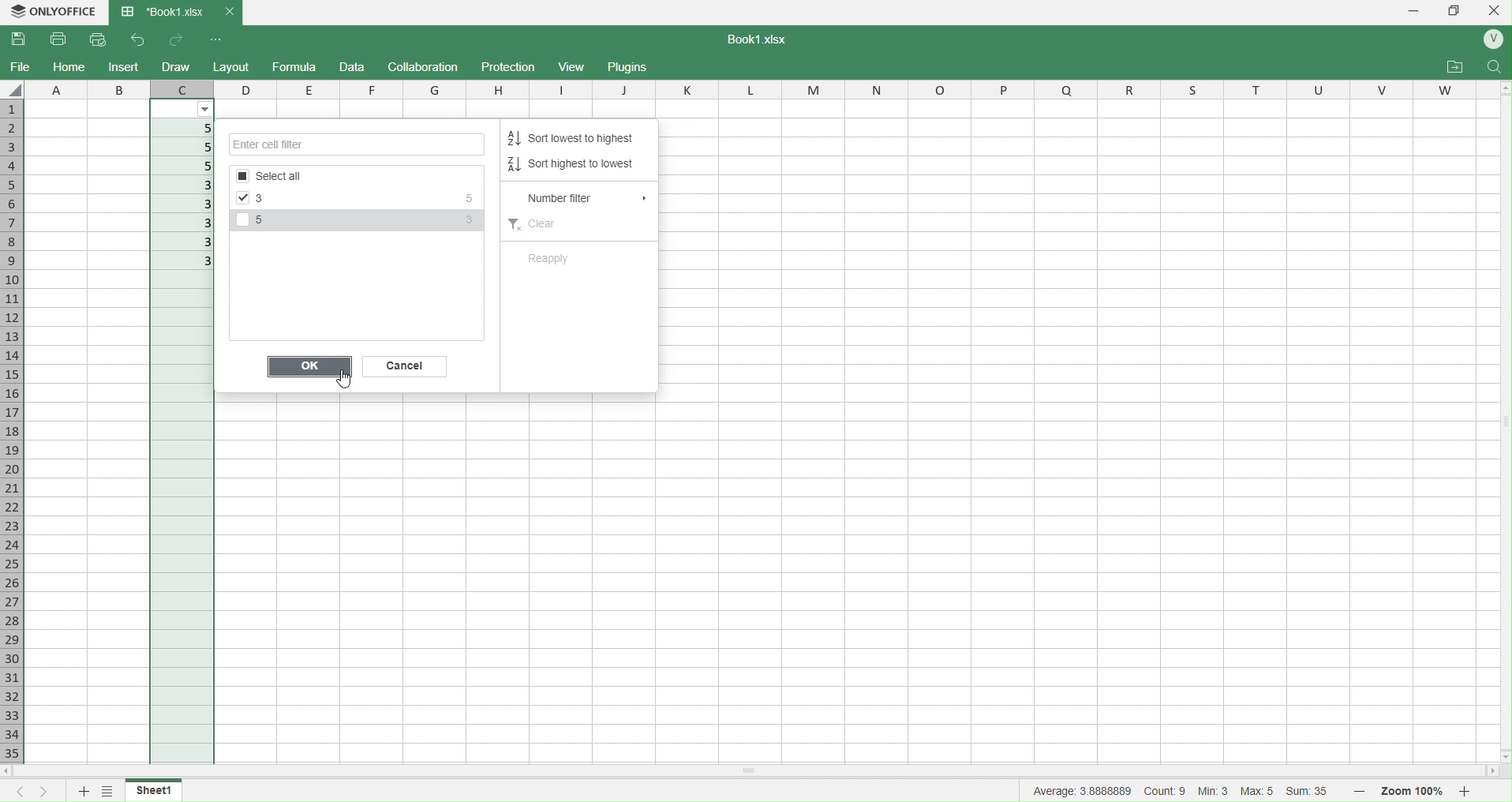 The width and height of the screenshot is (1512, 802). I want to click on cout, so click(1166, 790).